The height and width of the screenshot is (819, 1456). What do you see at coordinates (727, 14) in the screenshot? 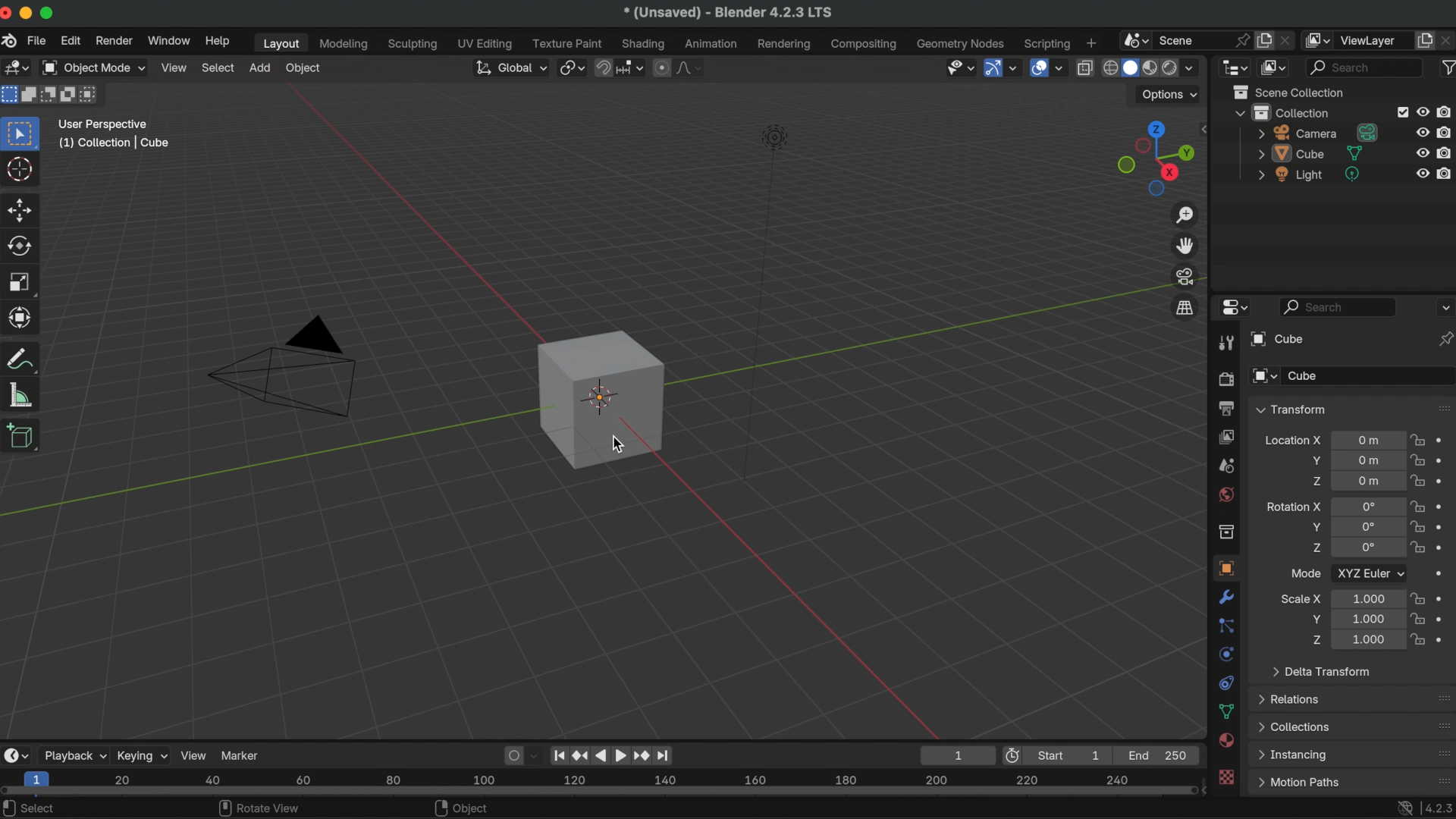
I see `* (Unsaved) - Blender 4.2.3 LTS` at bounding box center [727, 14].